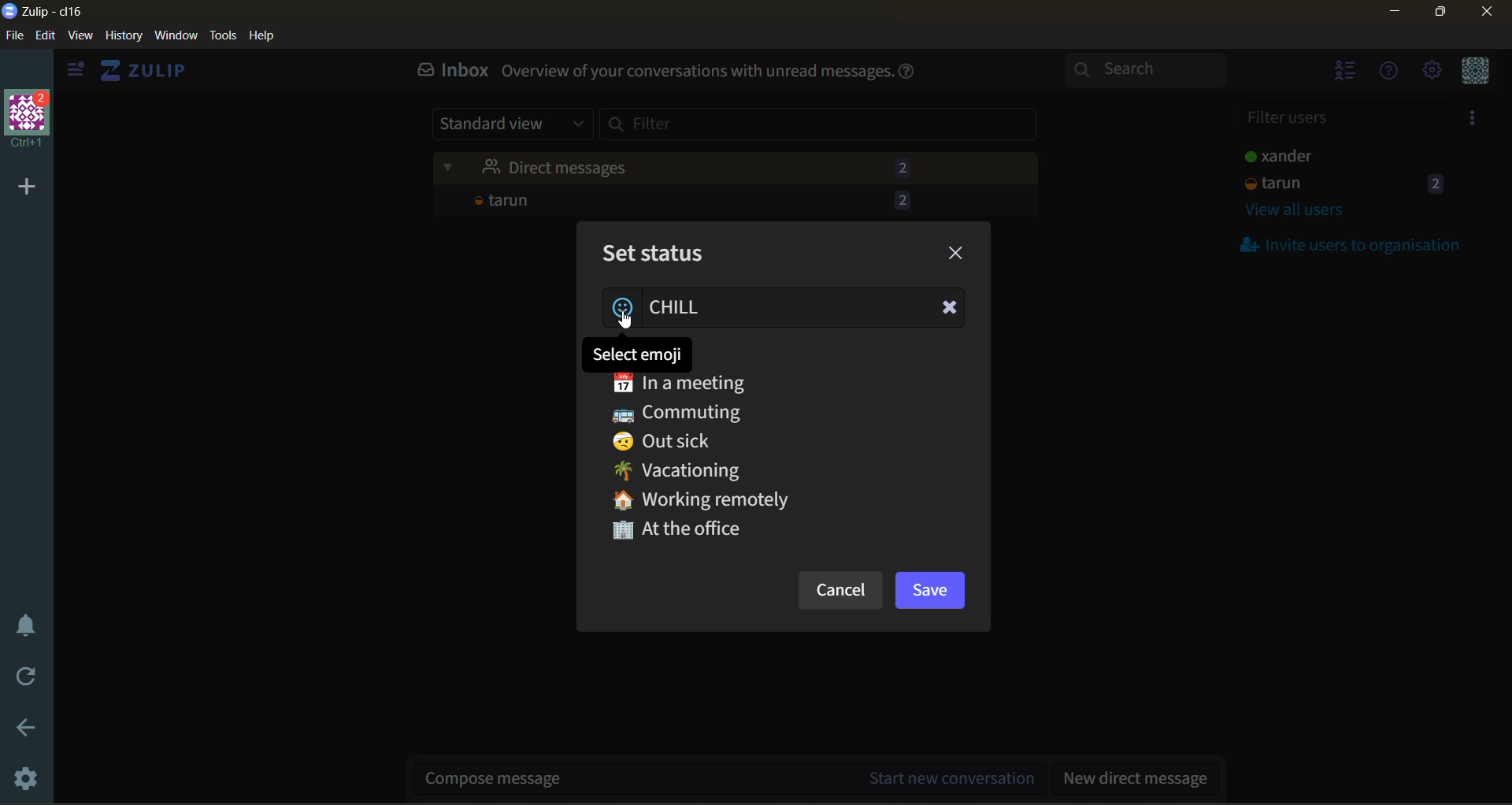 This screenshot has height=805, width=1512. What do you see at coordinates (1489, 14) in the screenshot?
I see `close` at bounding box center [1489, 14].